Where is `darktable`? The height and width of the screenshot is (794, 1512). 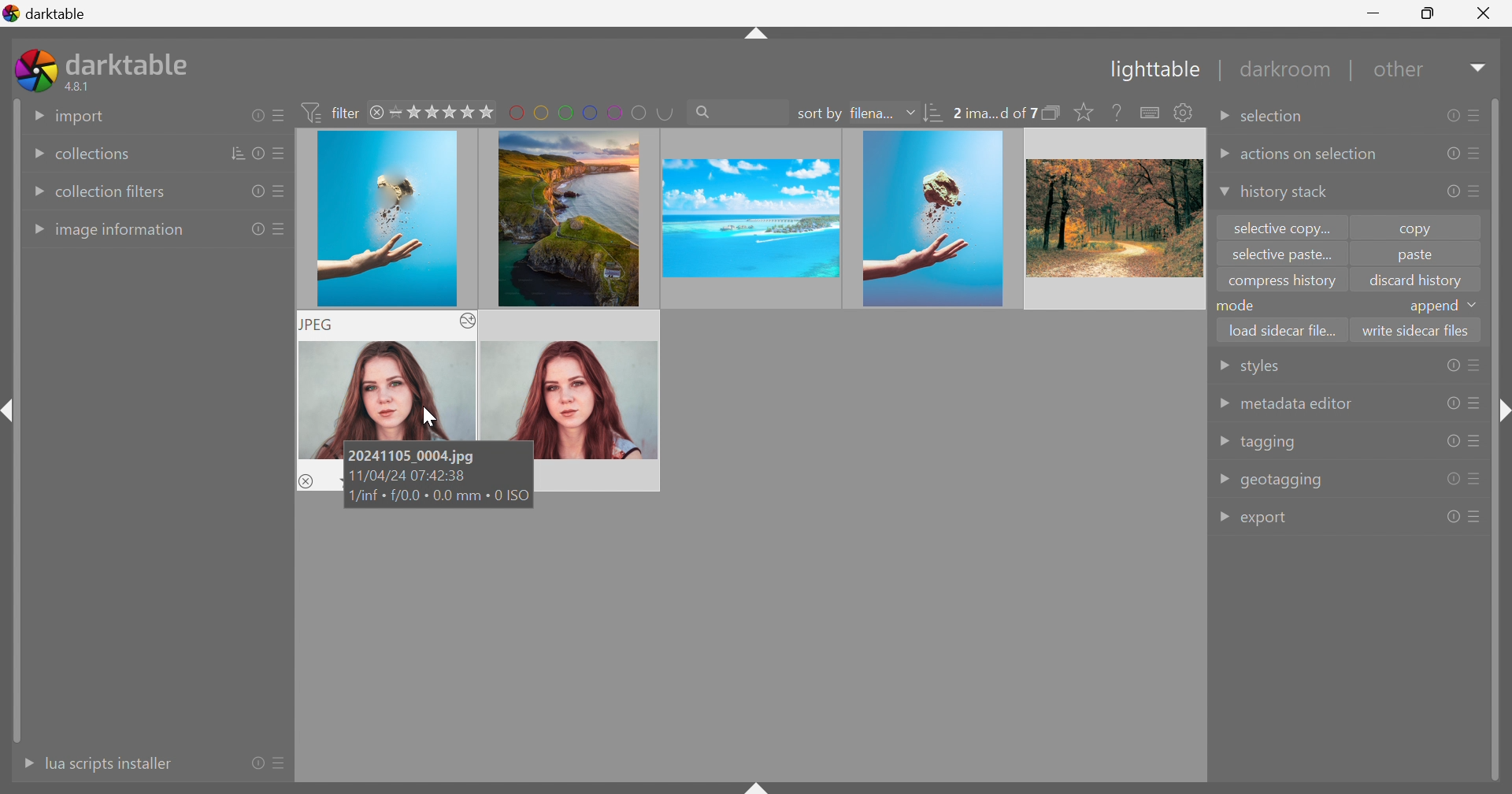 darktable is located at coordinates (131, 61).